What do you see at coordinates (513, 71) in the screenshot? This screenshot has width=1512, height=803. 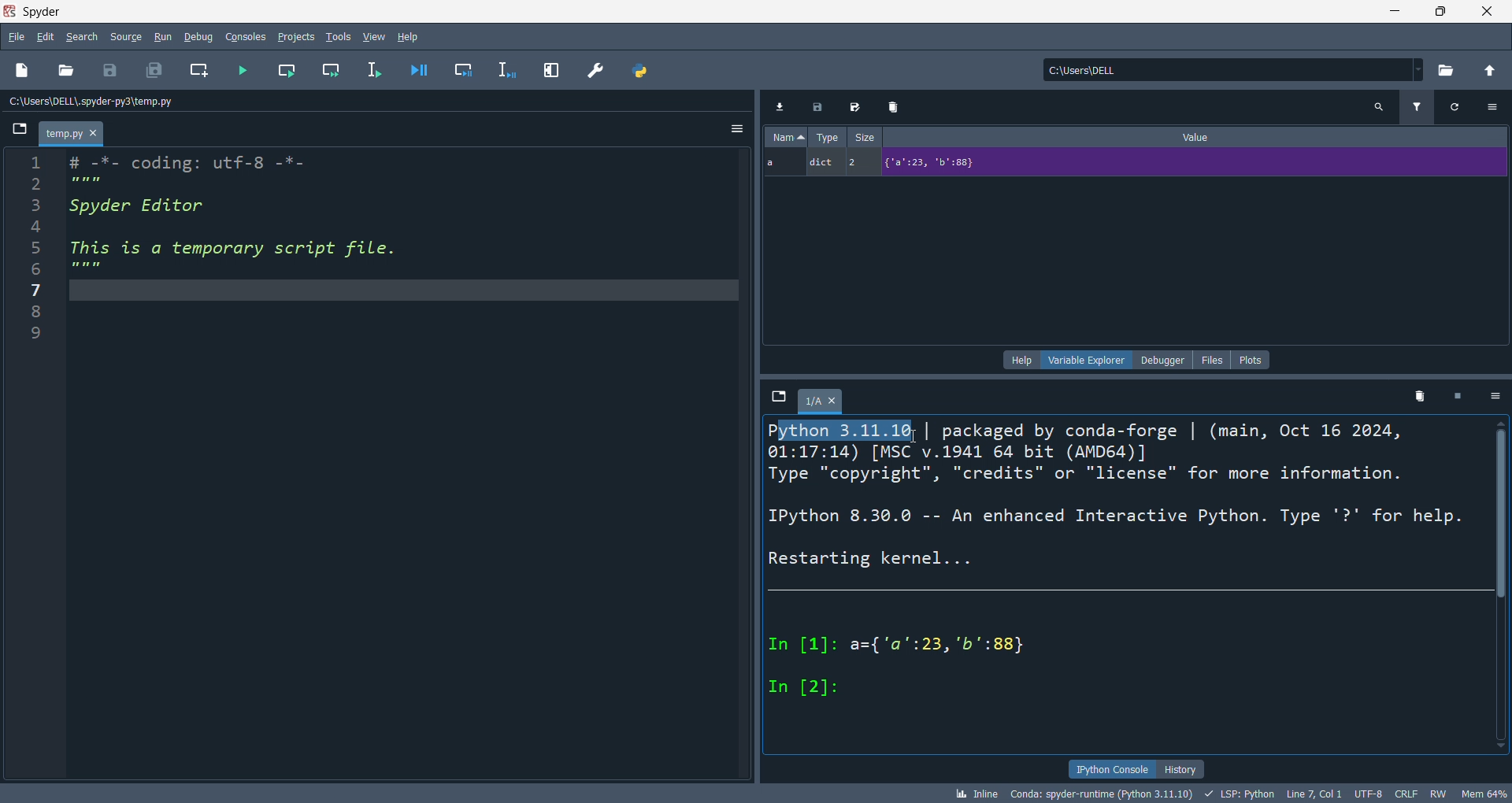 I see `debug line` at bounding box center [513, 71].